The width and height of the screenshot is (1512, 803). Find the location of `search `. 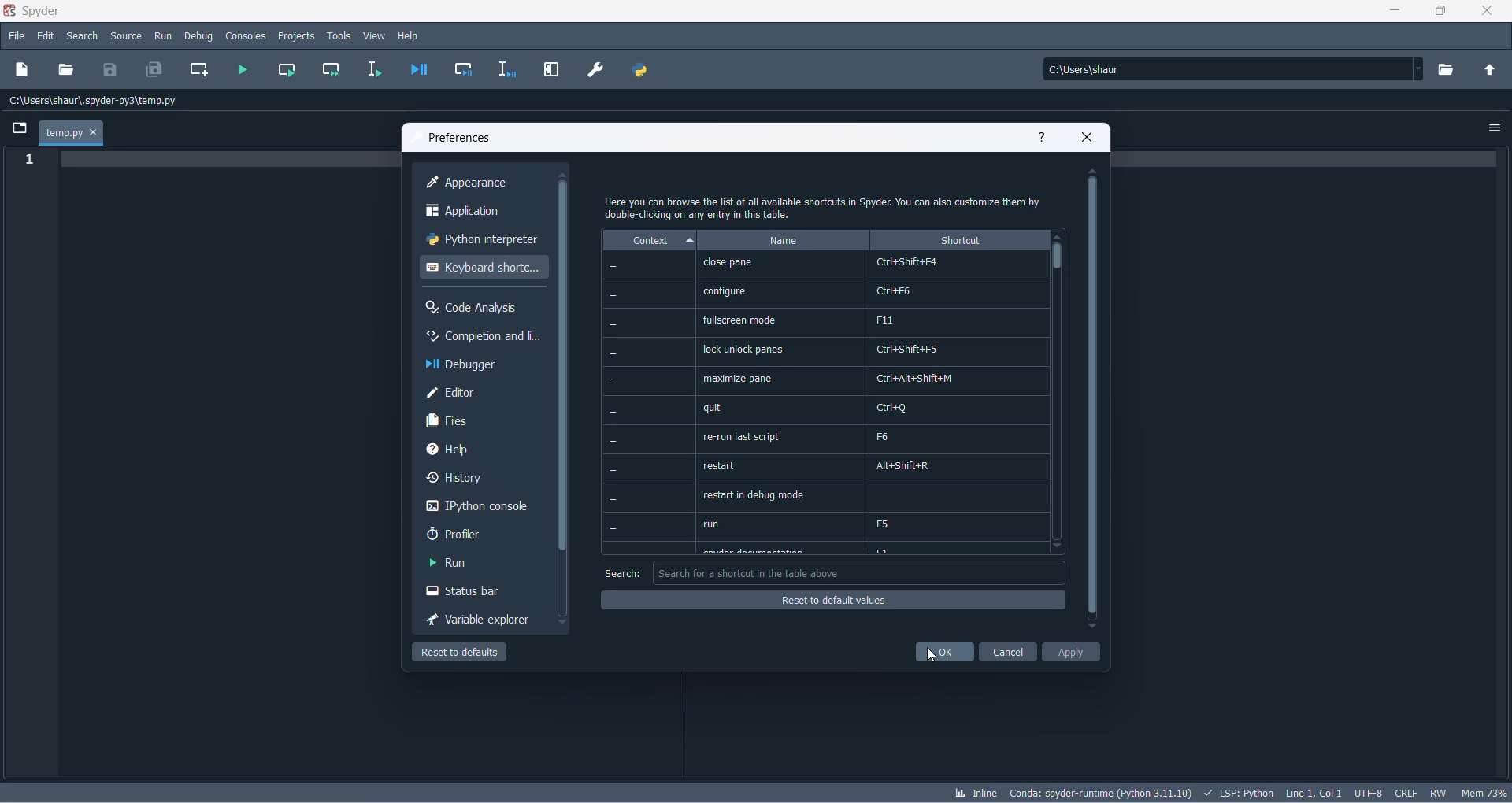

search  is located at coordinates (617, 572).